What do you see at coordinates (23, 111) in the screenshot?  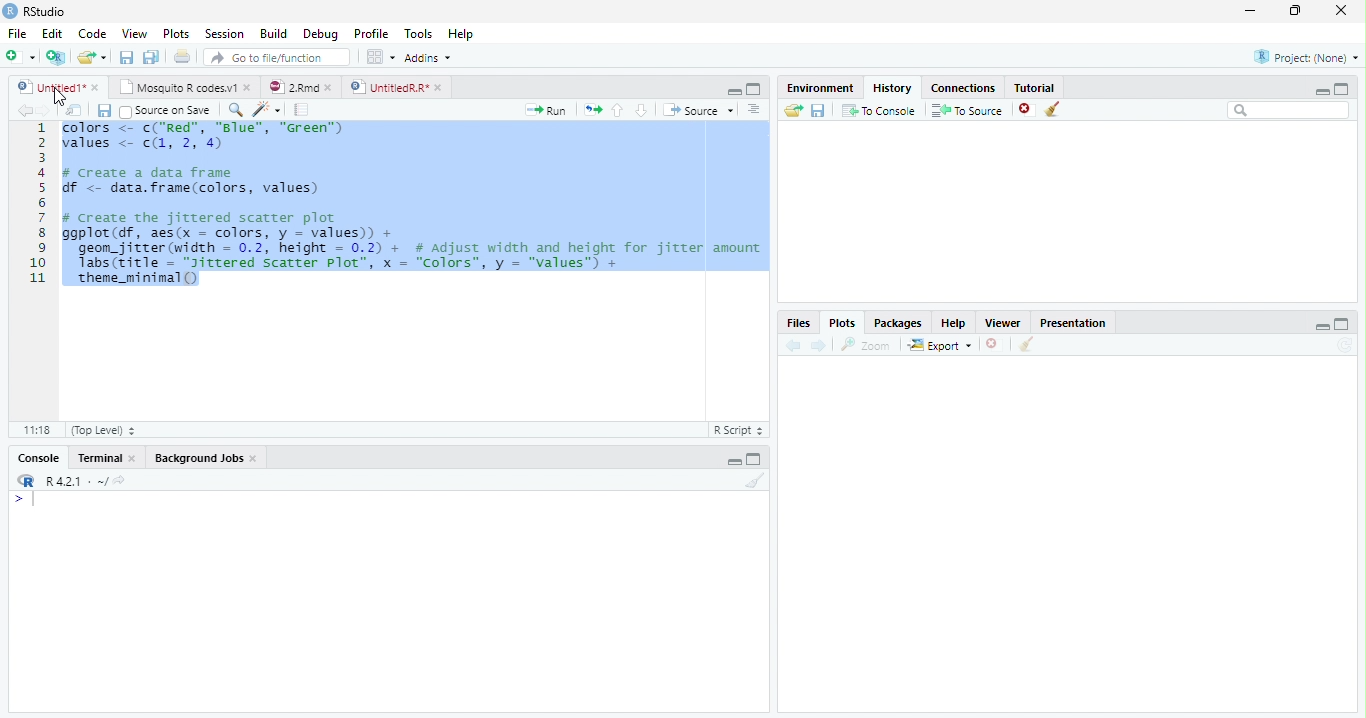 I see `Go back to previous source location` at bounding box center [23, 111].